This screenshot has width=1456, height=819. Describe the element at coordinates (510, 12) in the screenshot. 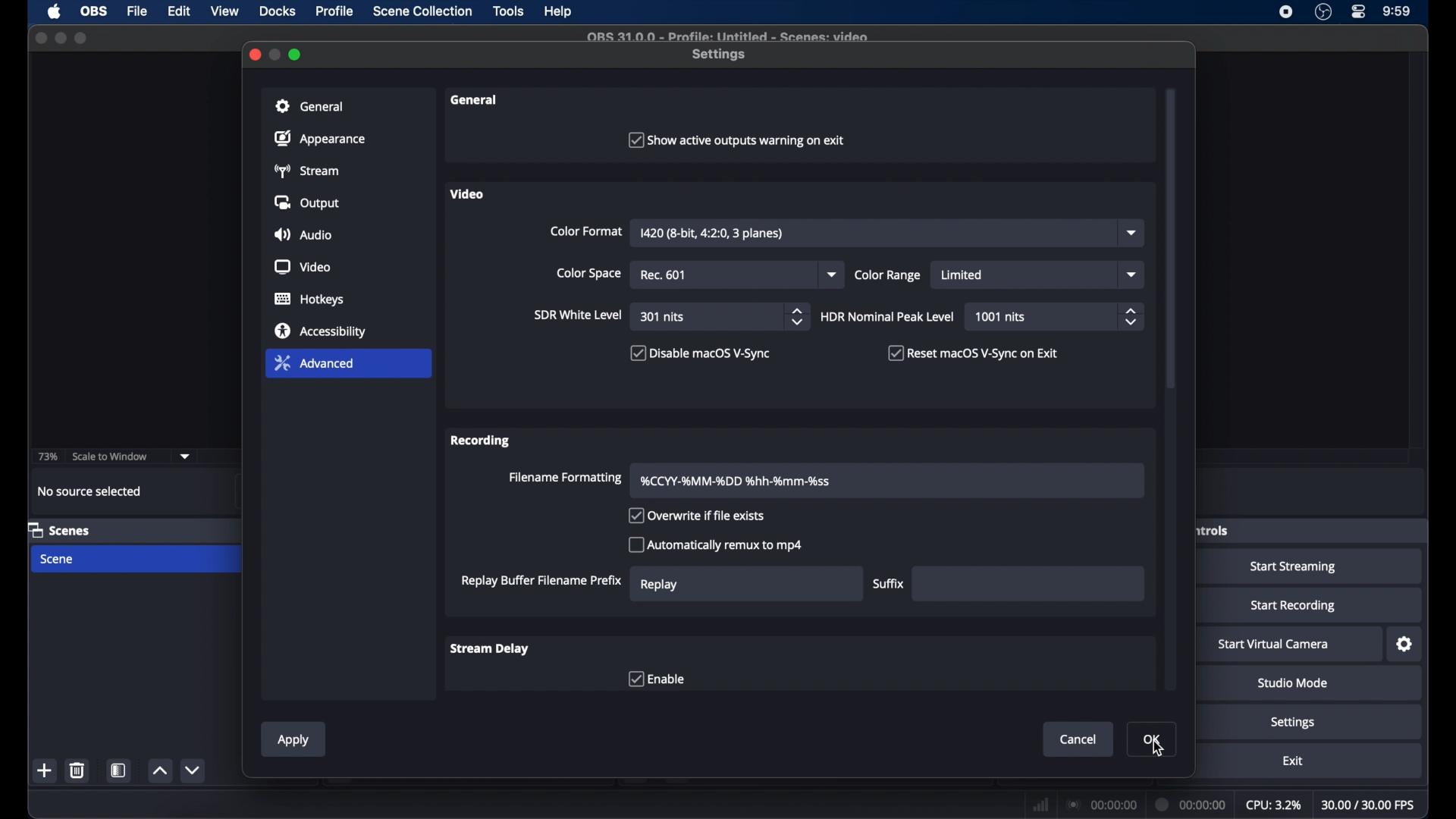

I see `tools` at that location.